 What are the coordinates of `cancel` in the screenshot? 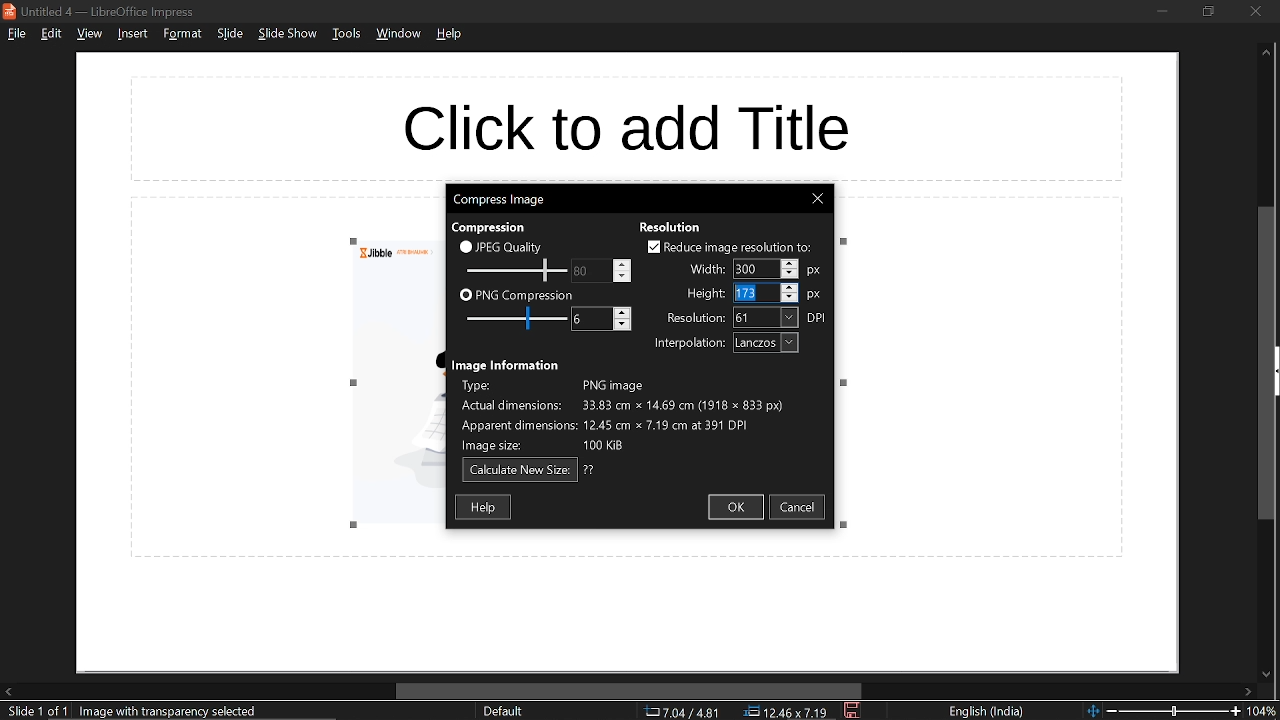 It's located at (801, 509).